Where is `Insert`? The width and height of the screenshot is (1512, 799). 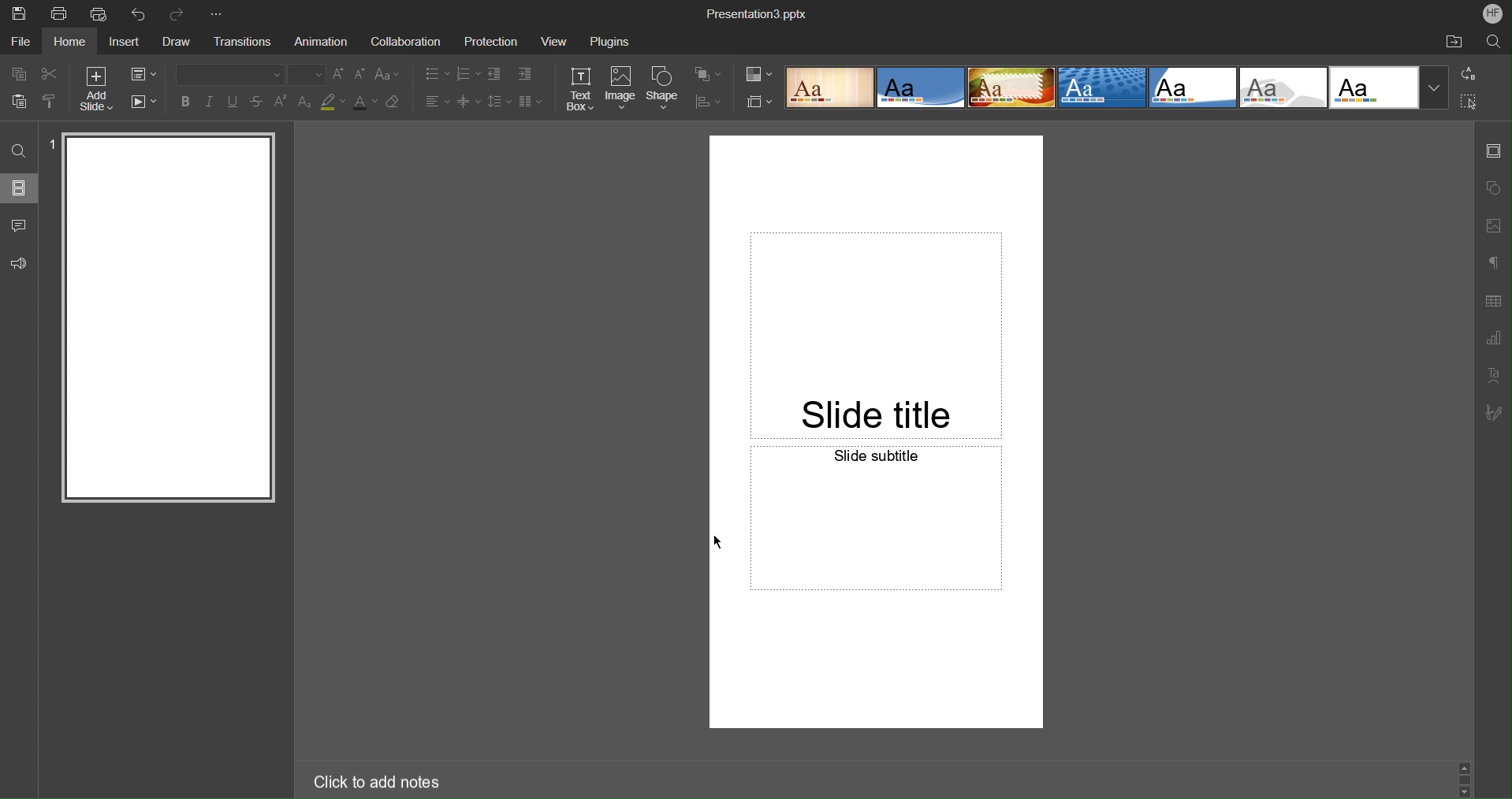 Insert is located at coordinates (125, 43).